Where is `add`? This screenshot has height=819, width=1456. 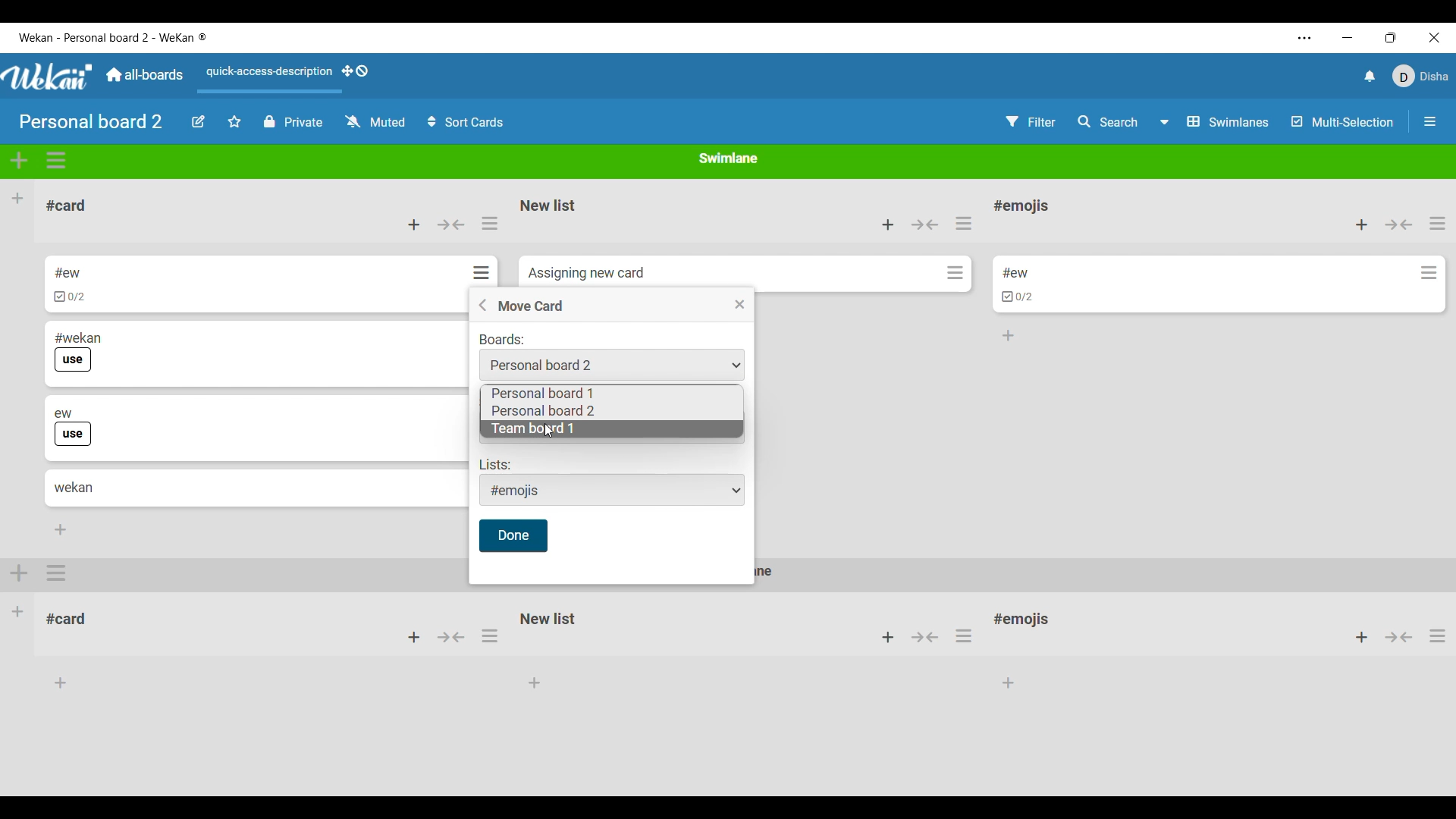
add is located at coordinates (20, 571).